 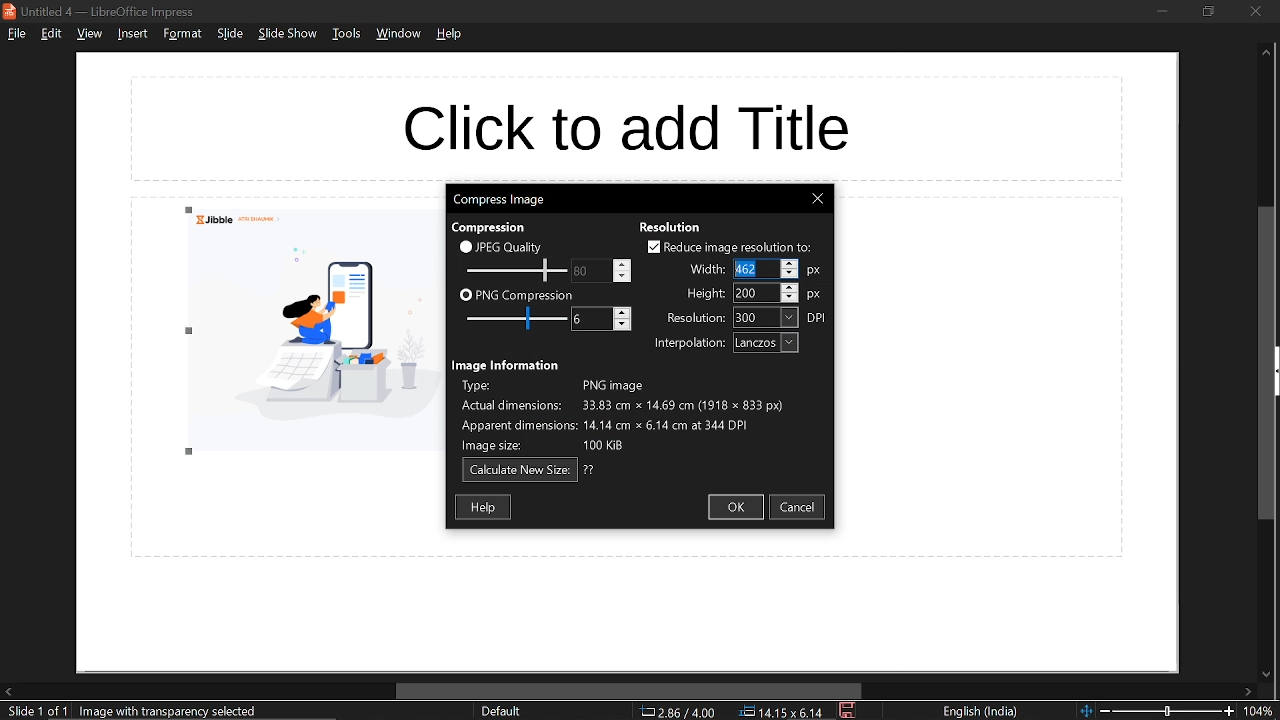 I want to click on increase jpeg quality, so click(x=622, y=264).